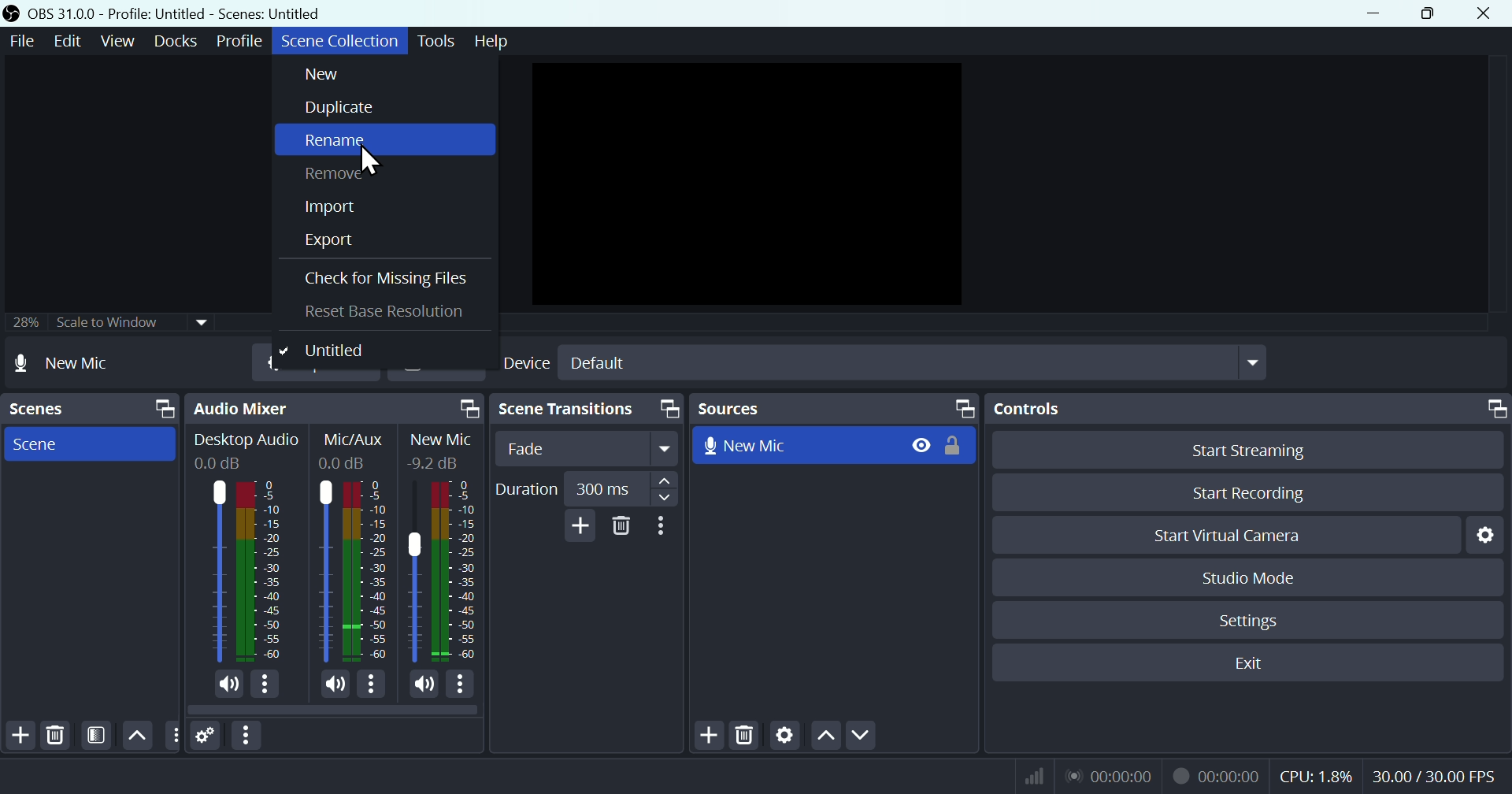 This screenshot has height=794, width=1512. What do you see at coordinates (91, 445) in the screenshot?
I see `Scene` at bounding box center [91, 445].